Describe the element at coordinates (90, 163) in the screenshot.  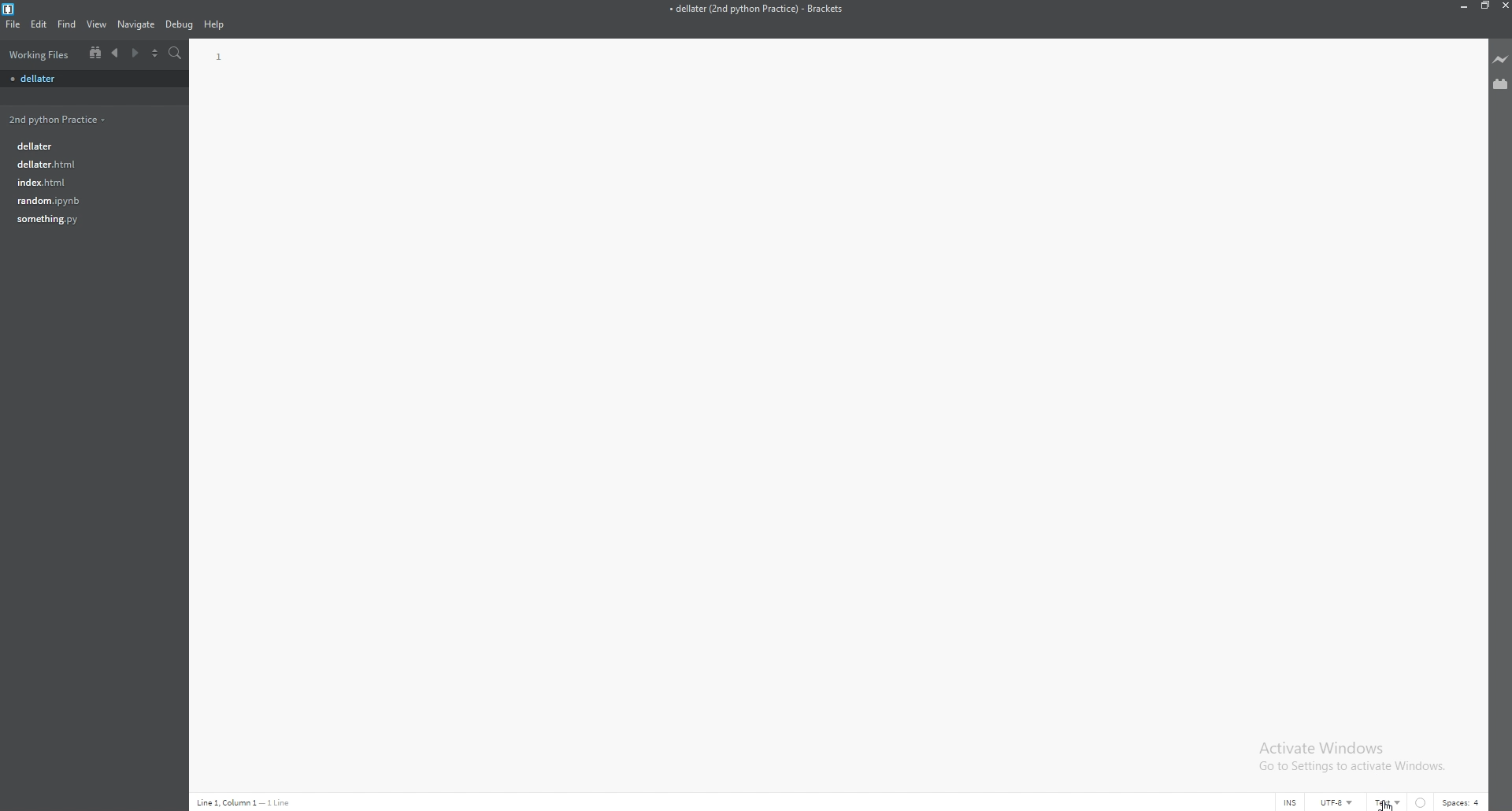
I see `file` at that location.